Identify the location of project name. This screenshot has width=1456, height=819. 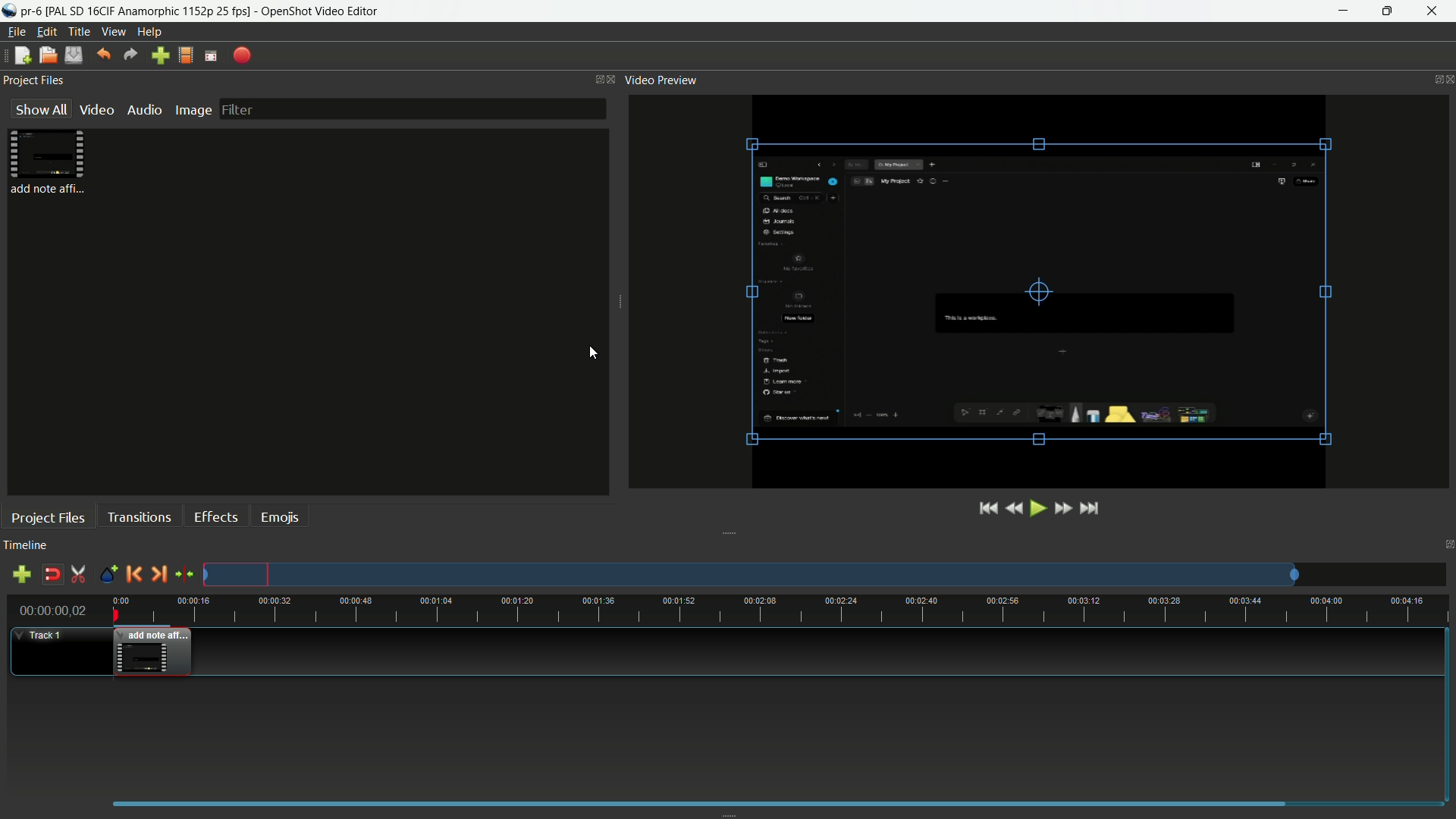
(31, 11).